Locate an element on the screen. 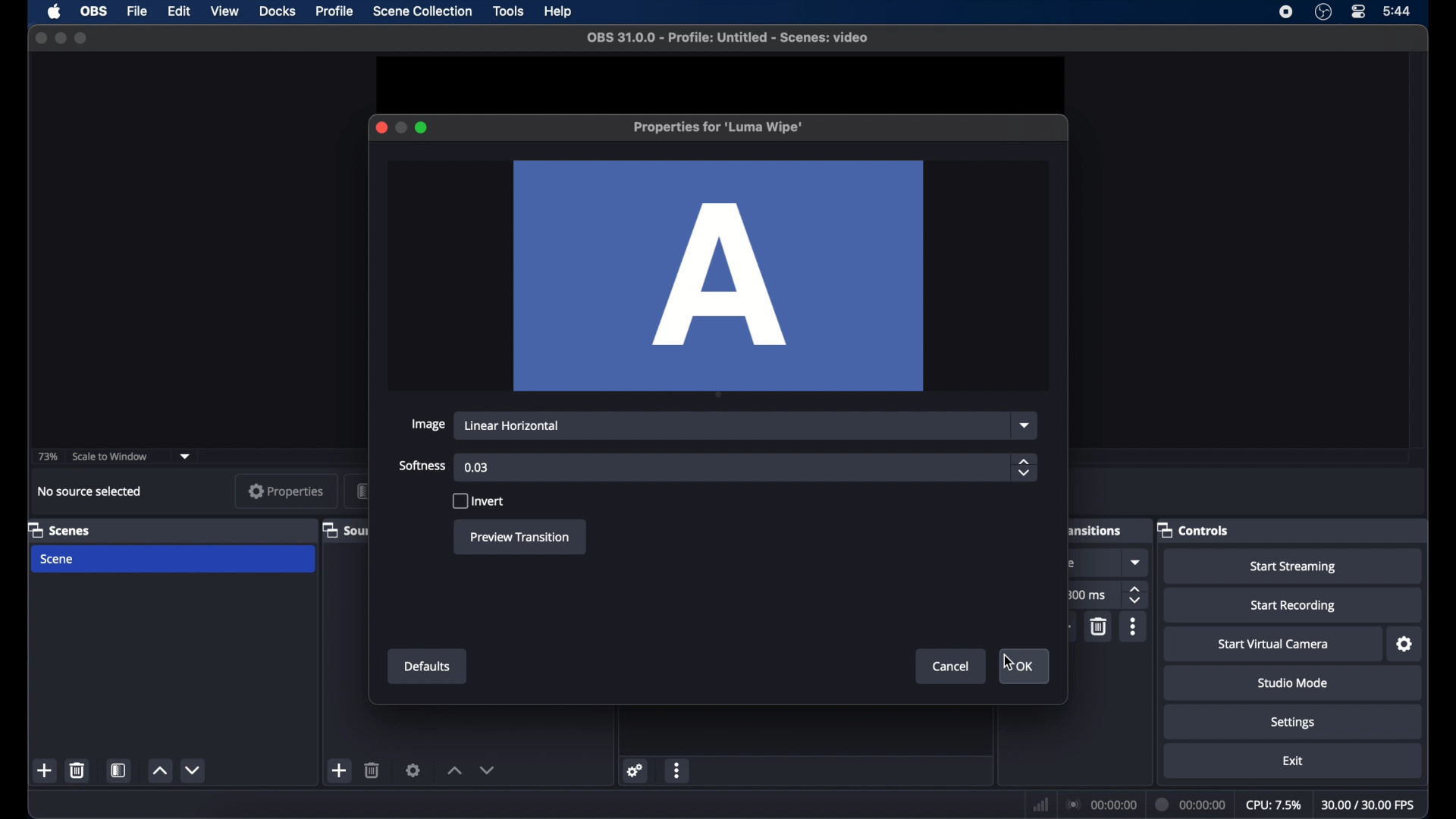  apple icon is located at coordinates (55, 12).